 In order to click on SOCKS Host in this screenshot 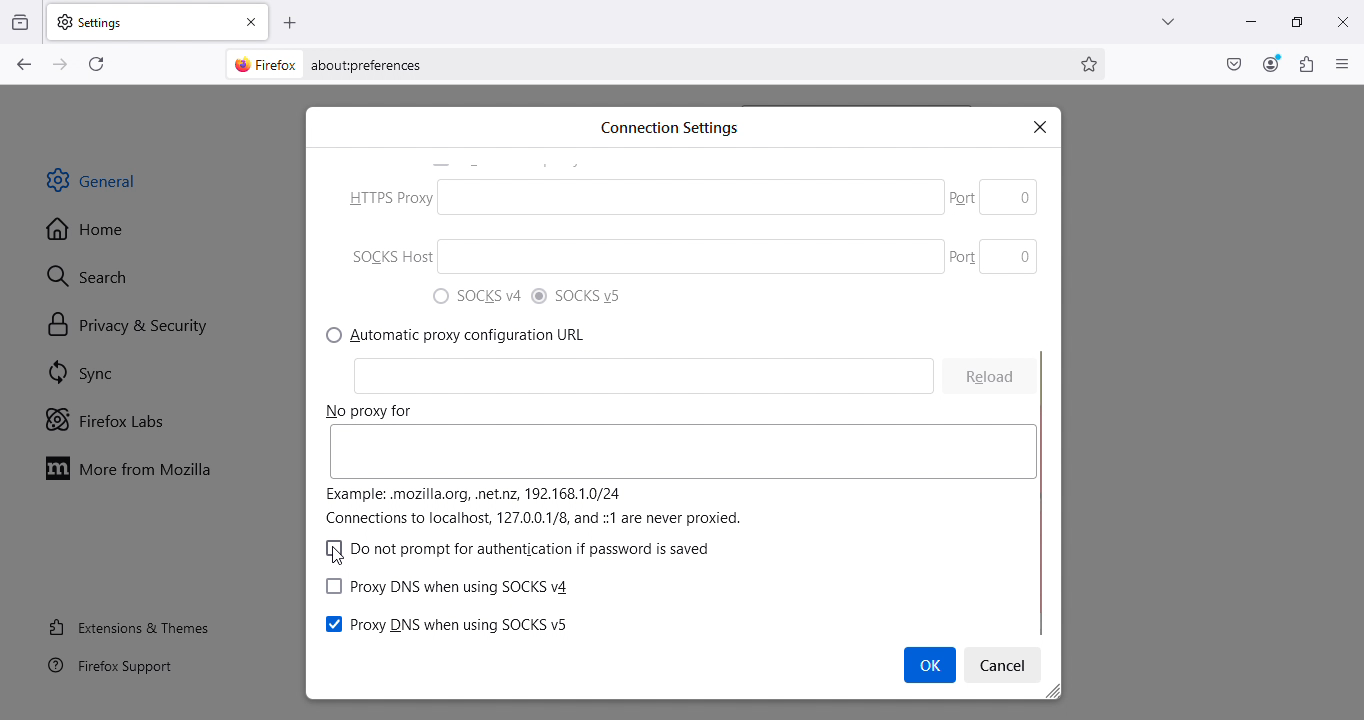, I will do `click(635, 260)`.